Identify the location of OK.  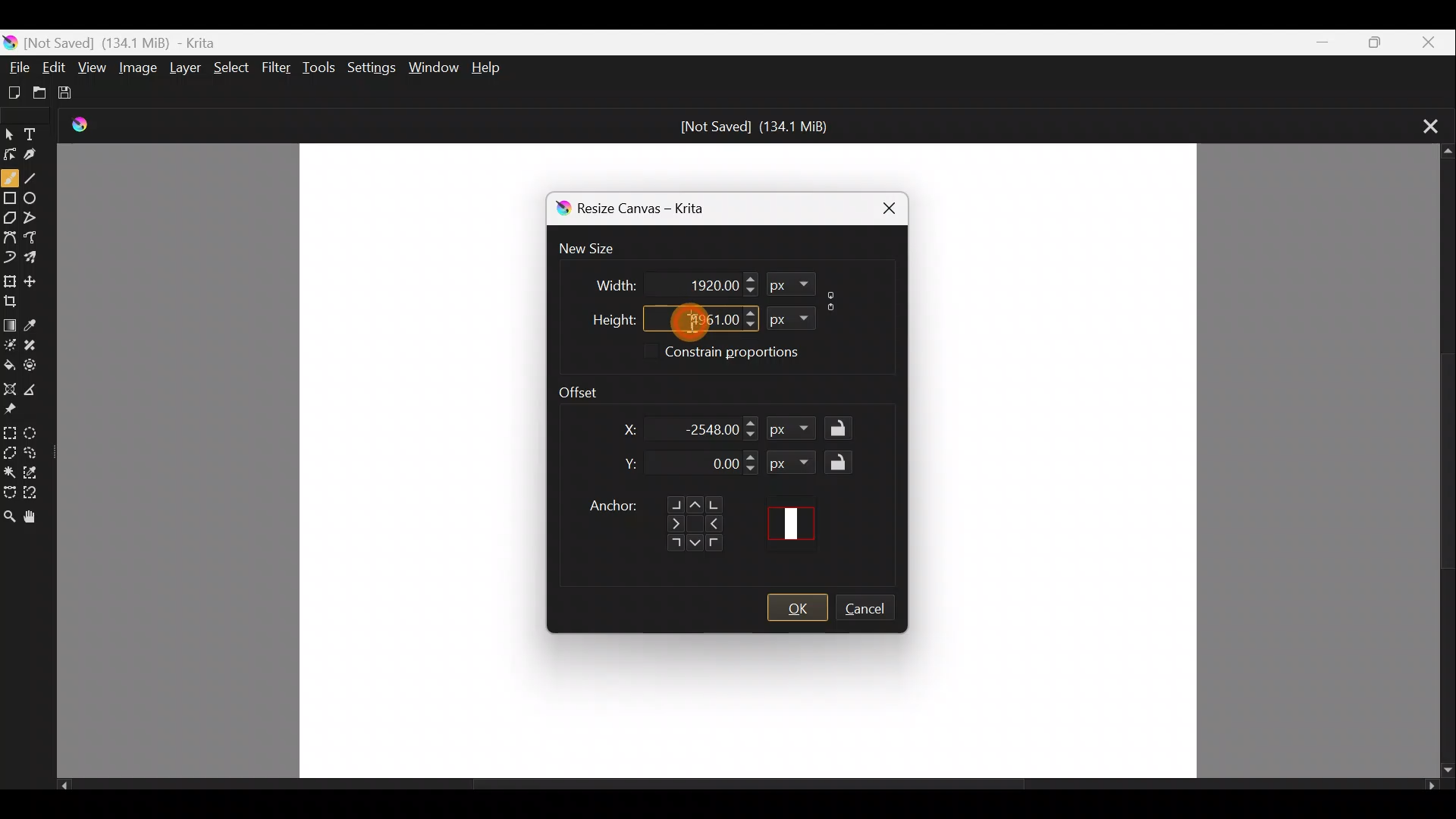
(797, 608).